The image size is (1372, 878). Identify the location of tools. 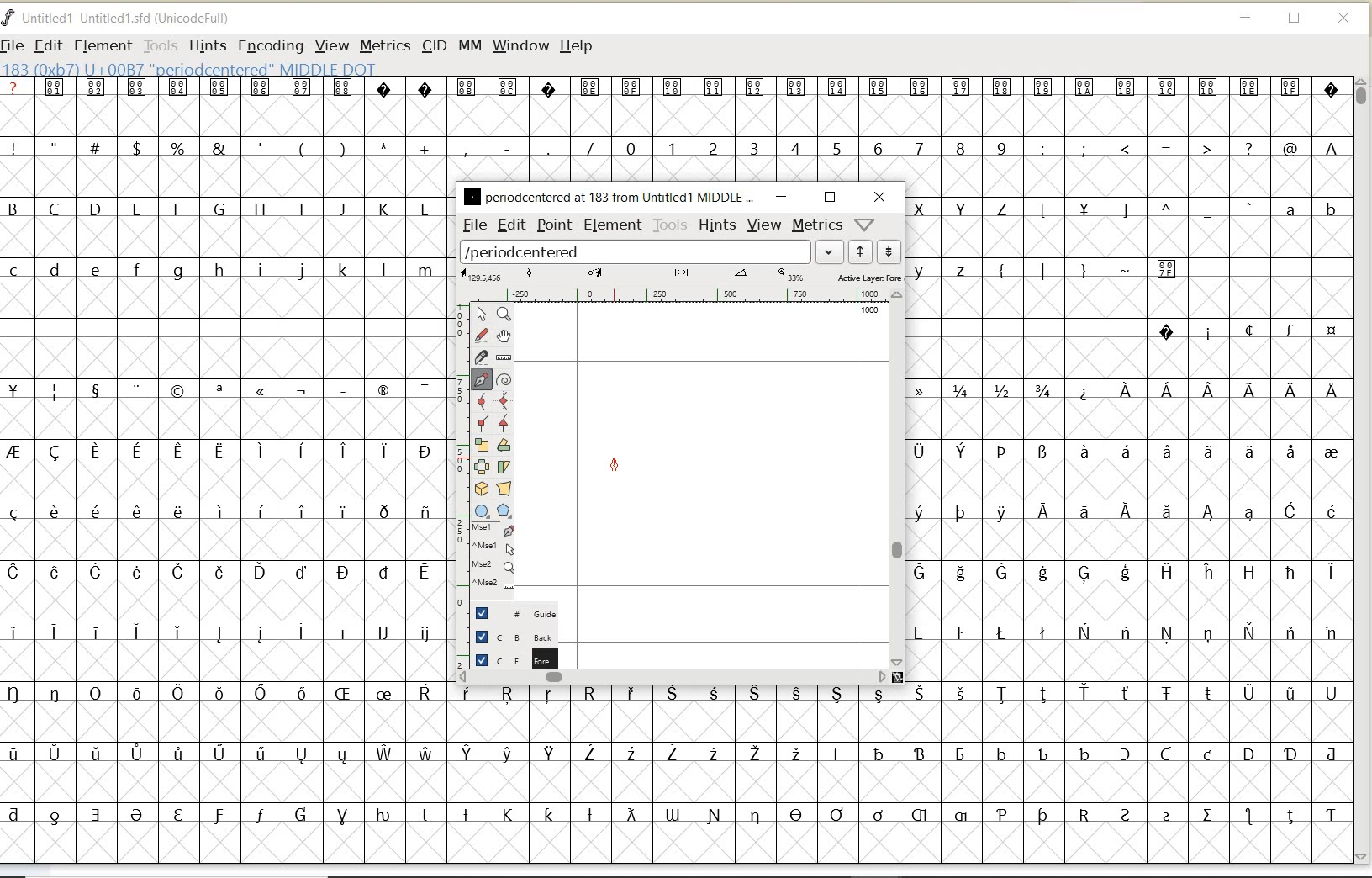
(670, 225).